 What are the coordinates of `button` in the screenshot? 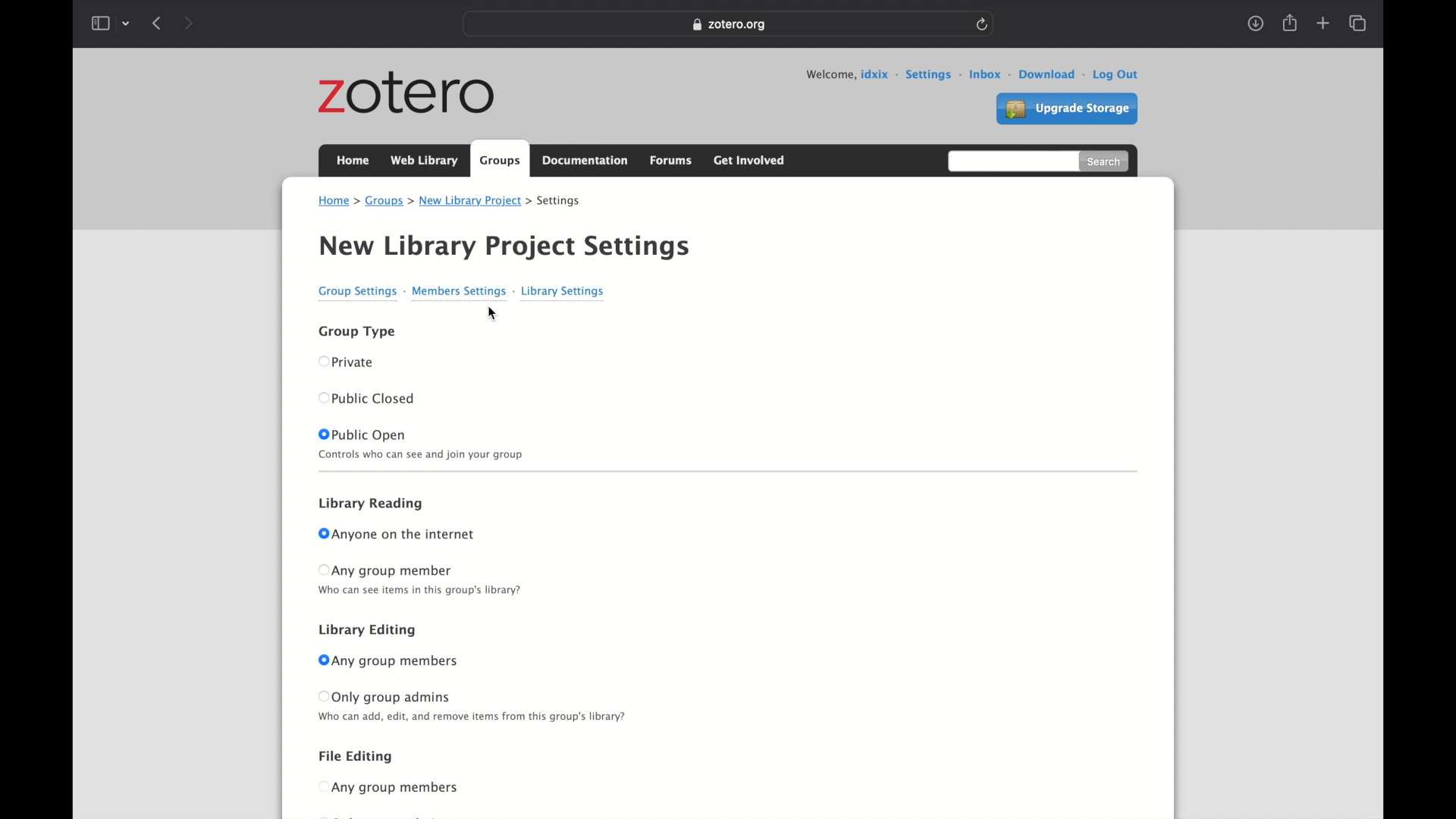 It's located at (320, 660).